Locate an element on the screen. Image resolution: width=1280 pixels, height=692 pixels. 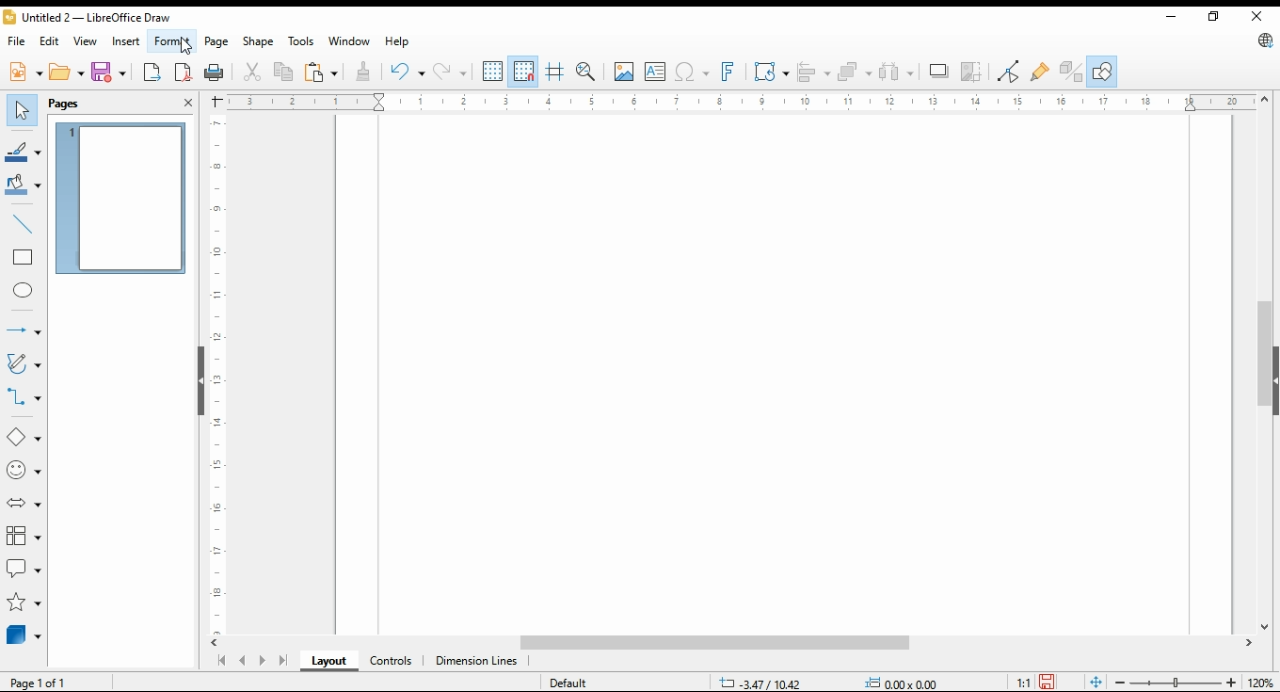
dimension lines is located at coordinates (477, 662).